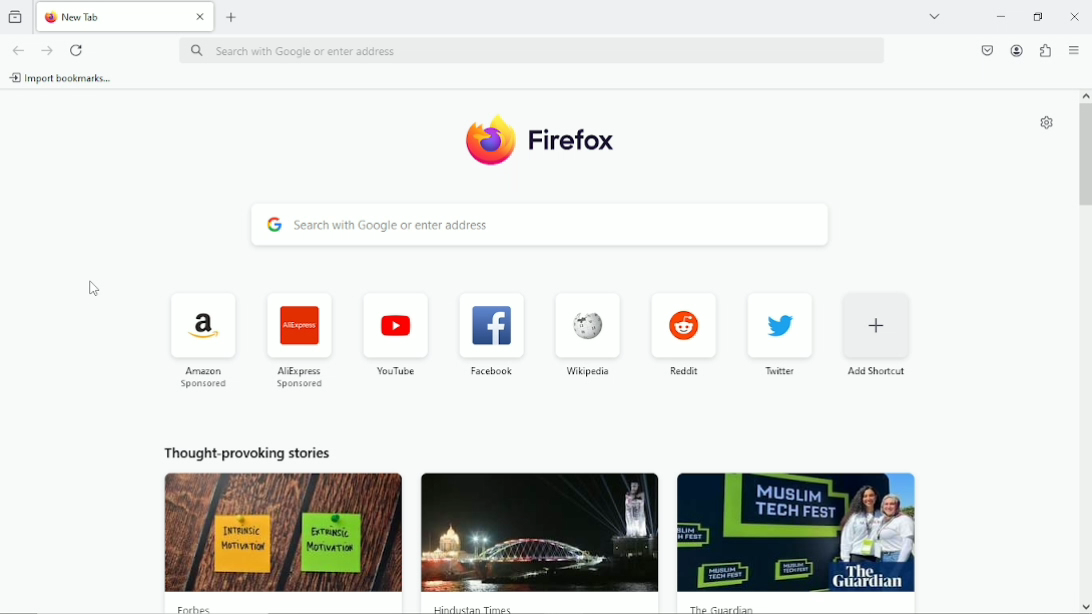 This screenshot has height=614, width=1092. What do you see at coordinates (233, 16) in the screenshot?
I see `New tab` at bounding box center [233, 16].